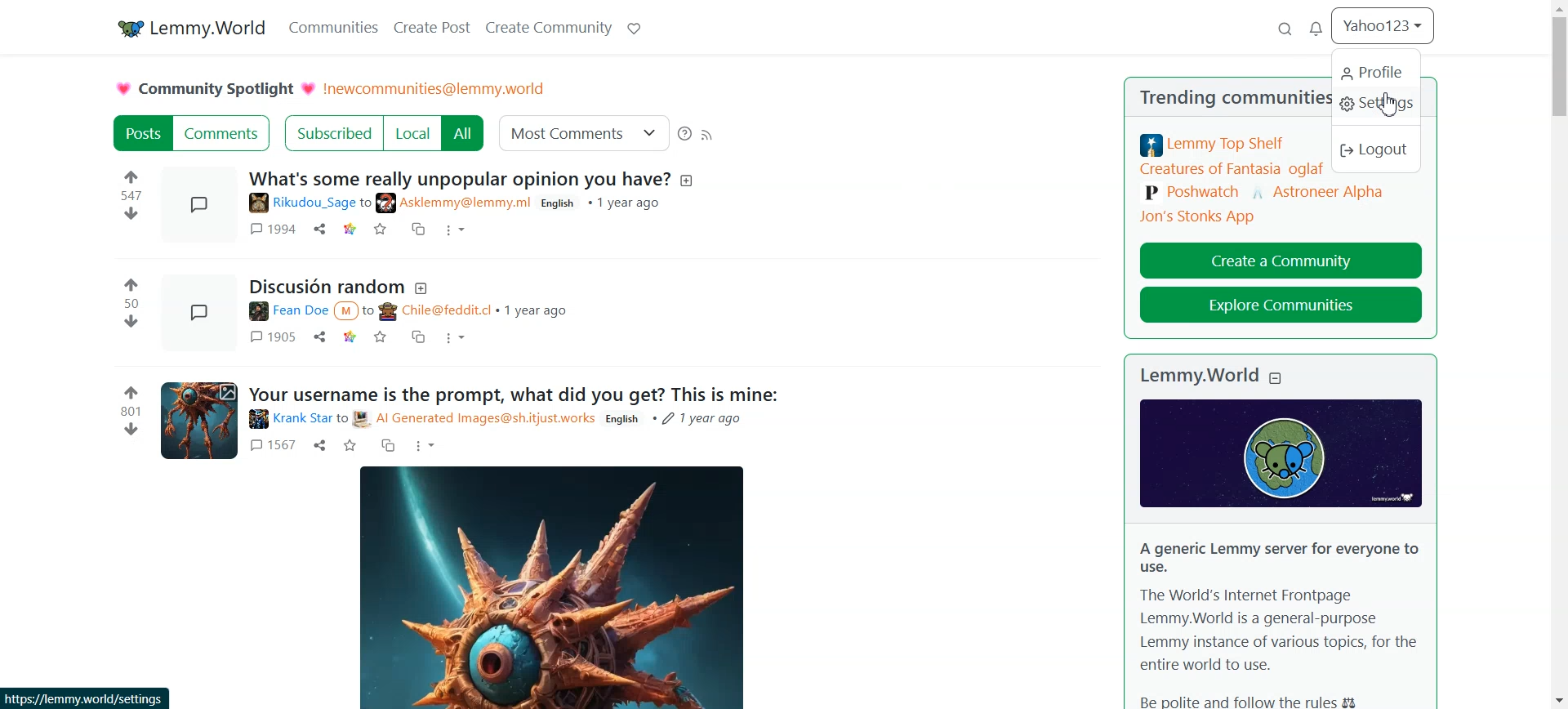 This screenshot has height=709, width=1568. Describe the element at coordinates (285, 313) in the screenshot. I see `fean doe` at that location.